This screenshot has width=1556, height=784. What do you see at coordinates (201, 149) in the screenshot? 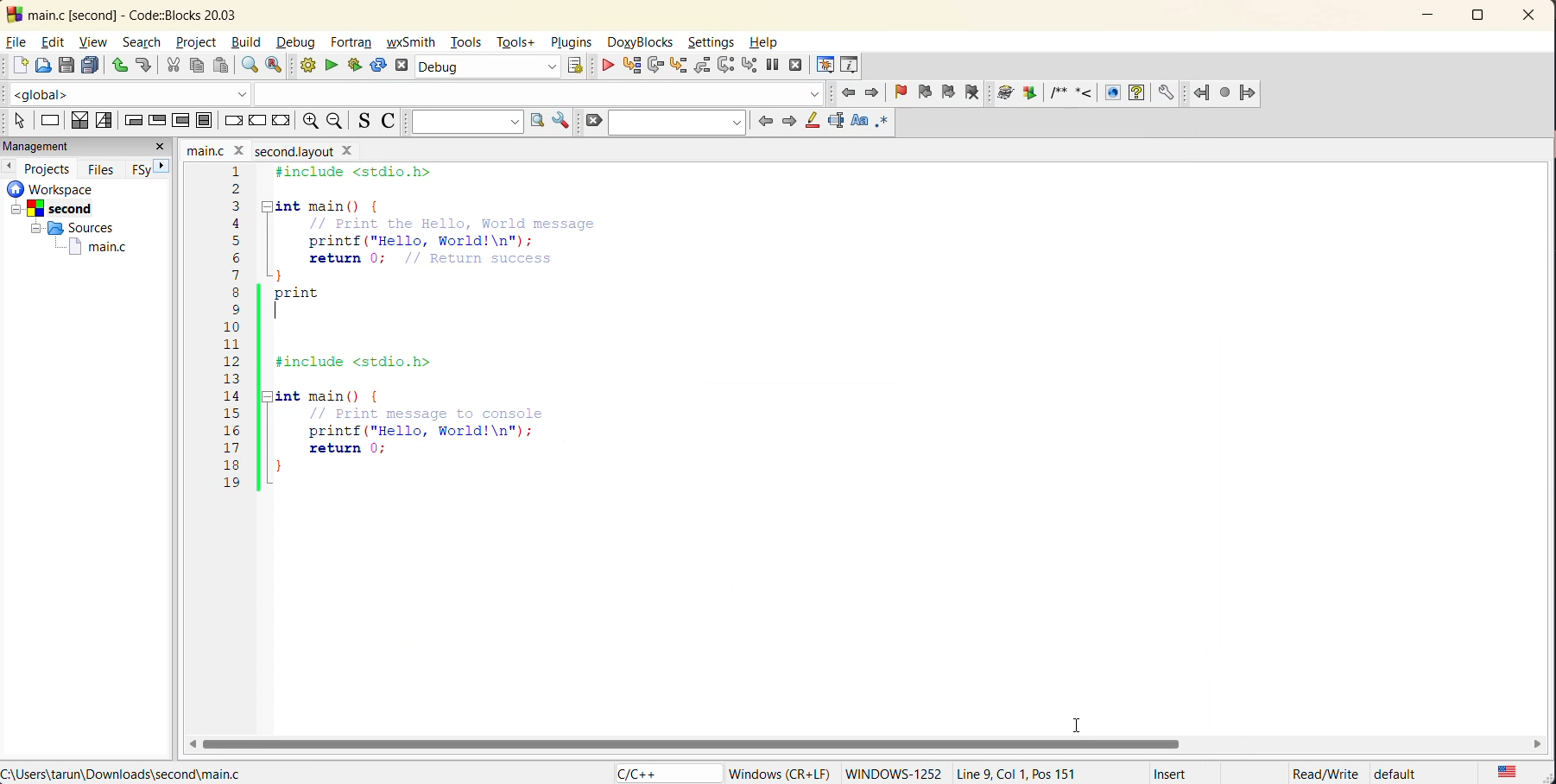
I see `main` at bounding box center [201, 149].